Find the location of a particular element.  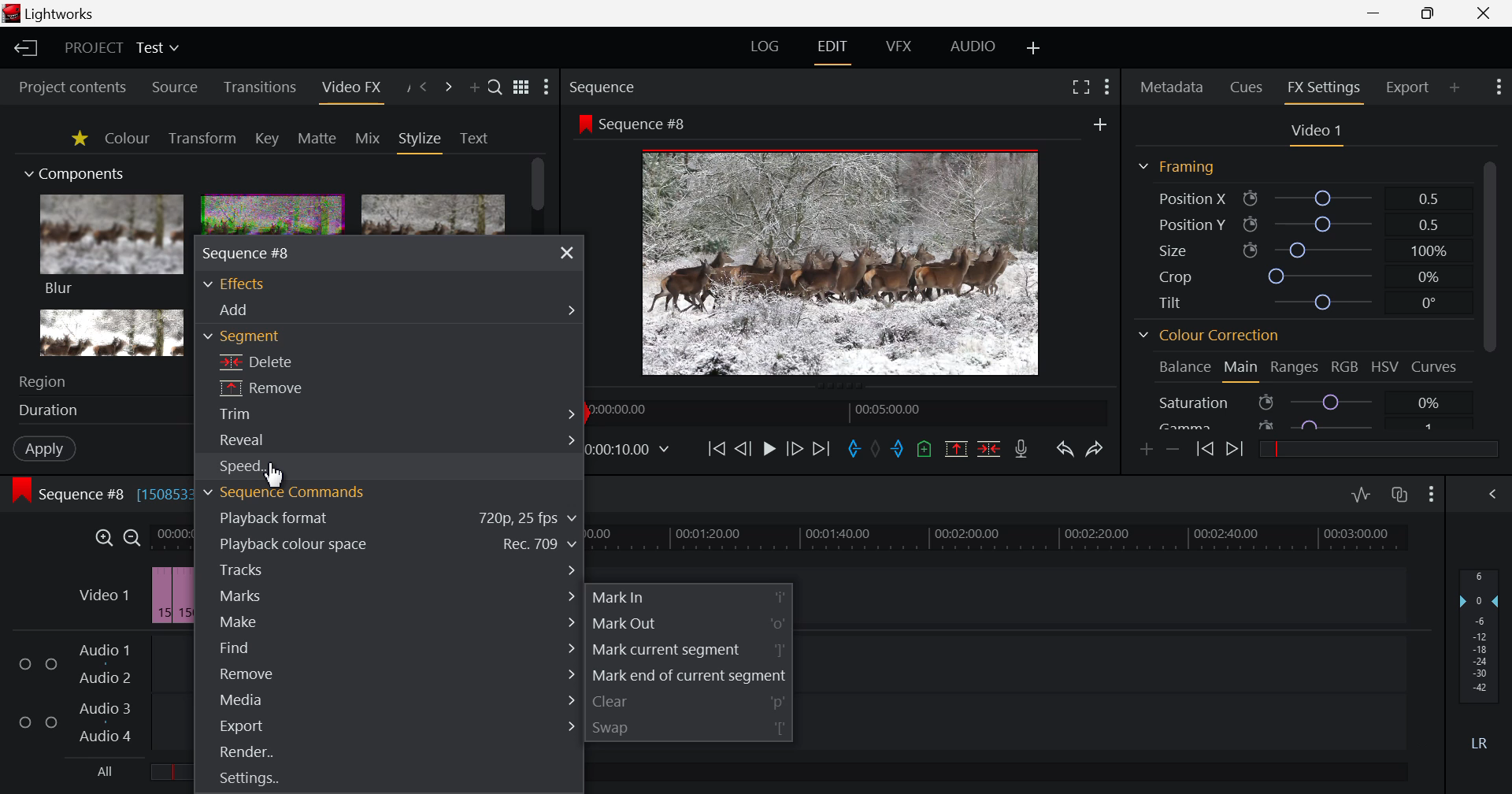

Playback format is located at coordinates (389, 520).